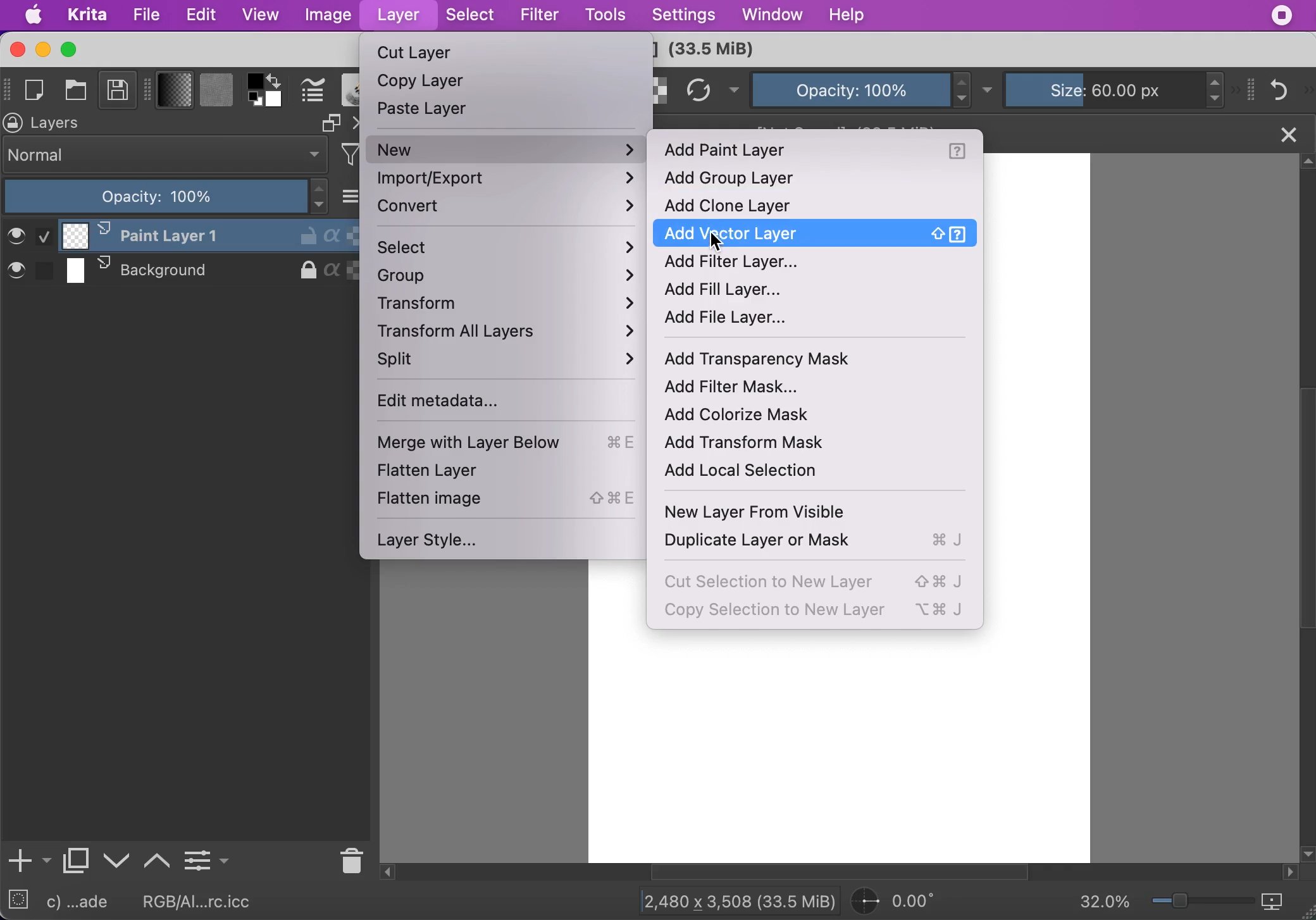  I want to click on show/hide , so click(8, 87).